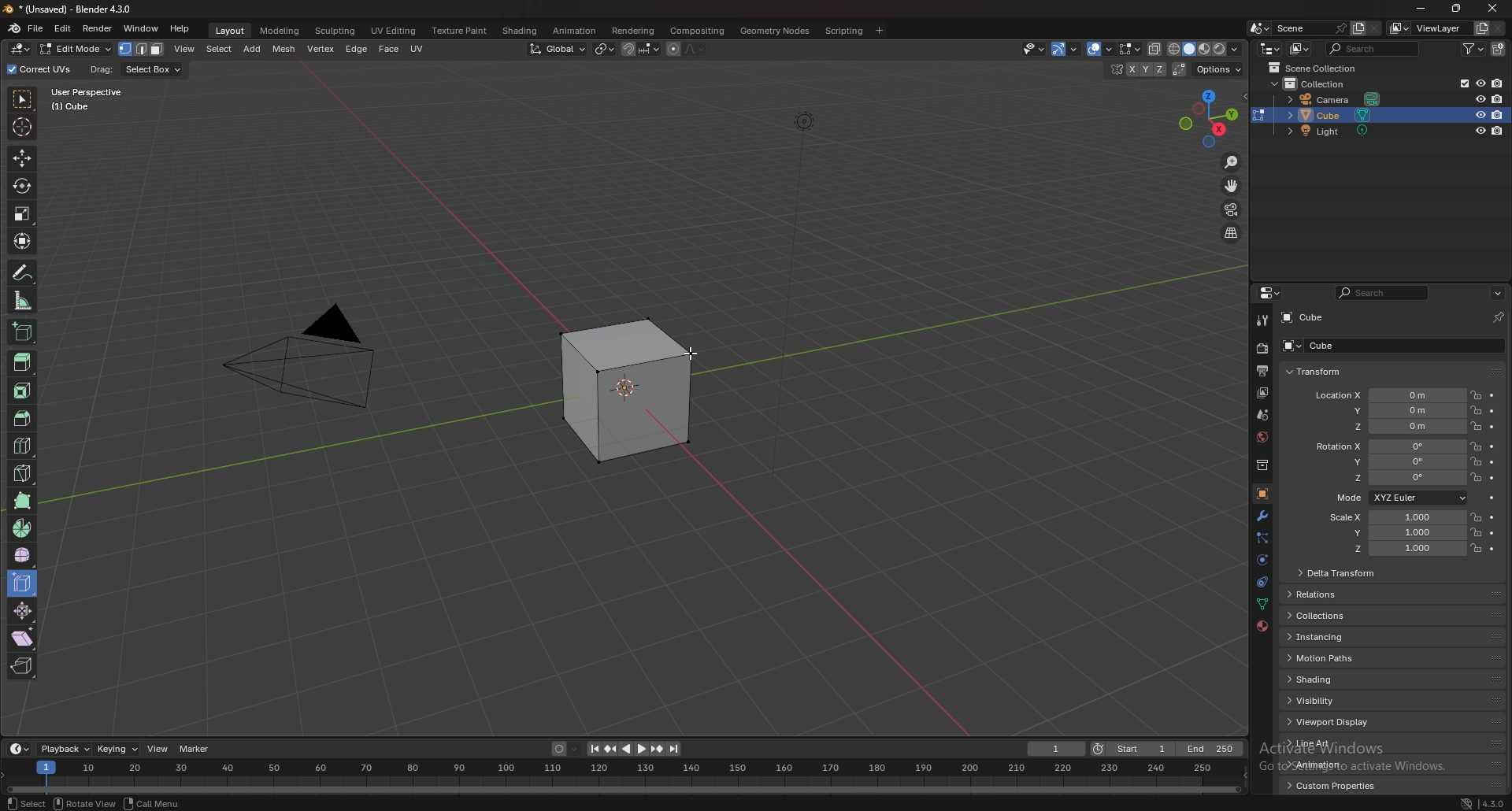  Describe the element at coordinates (1475, 426) in the screenshot. I see `lock` at that location.